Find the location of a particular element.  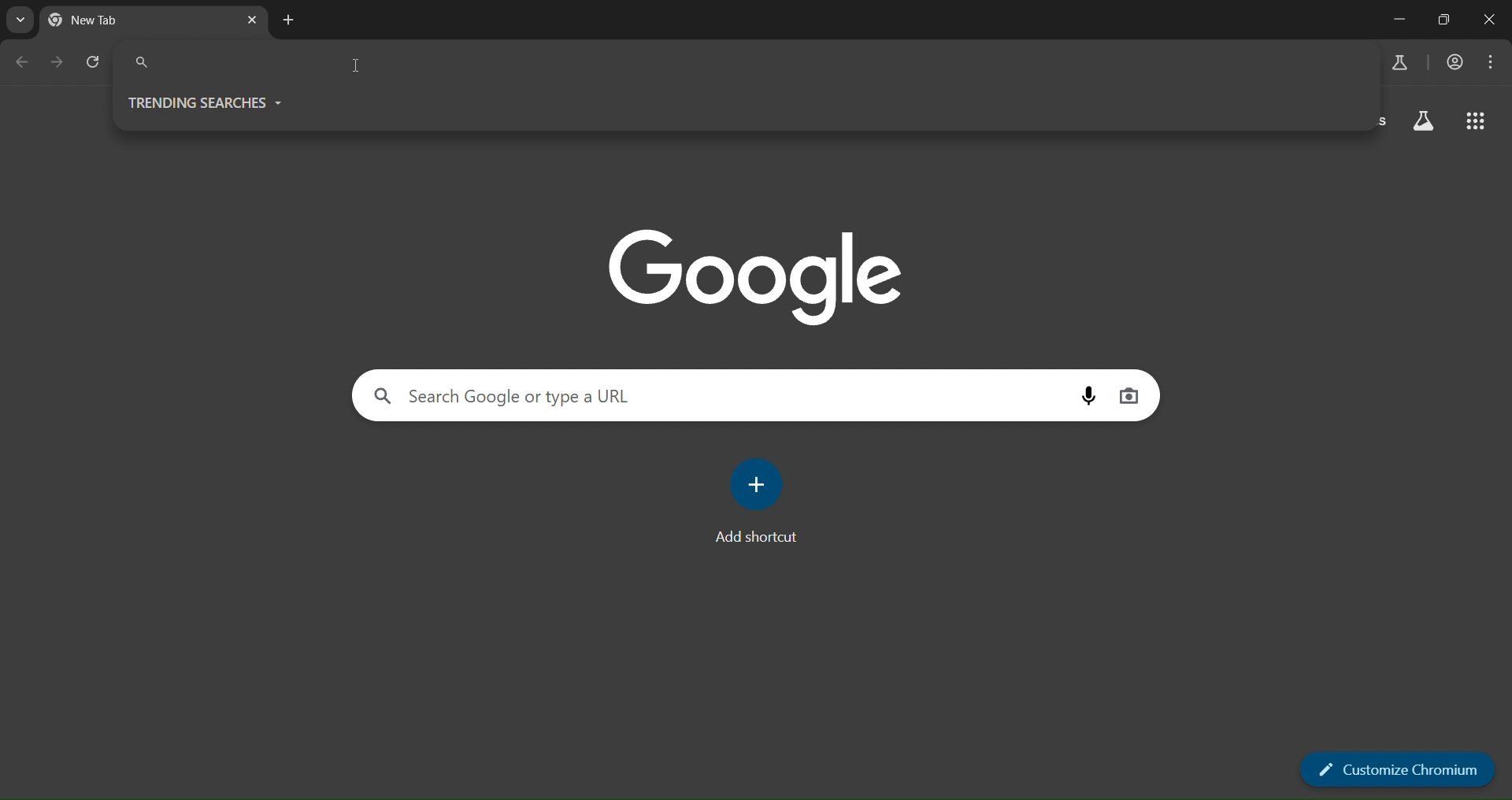

Close is located at coordinates (1487, 18).